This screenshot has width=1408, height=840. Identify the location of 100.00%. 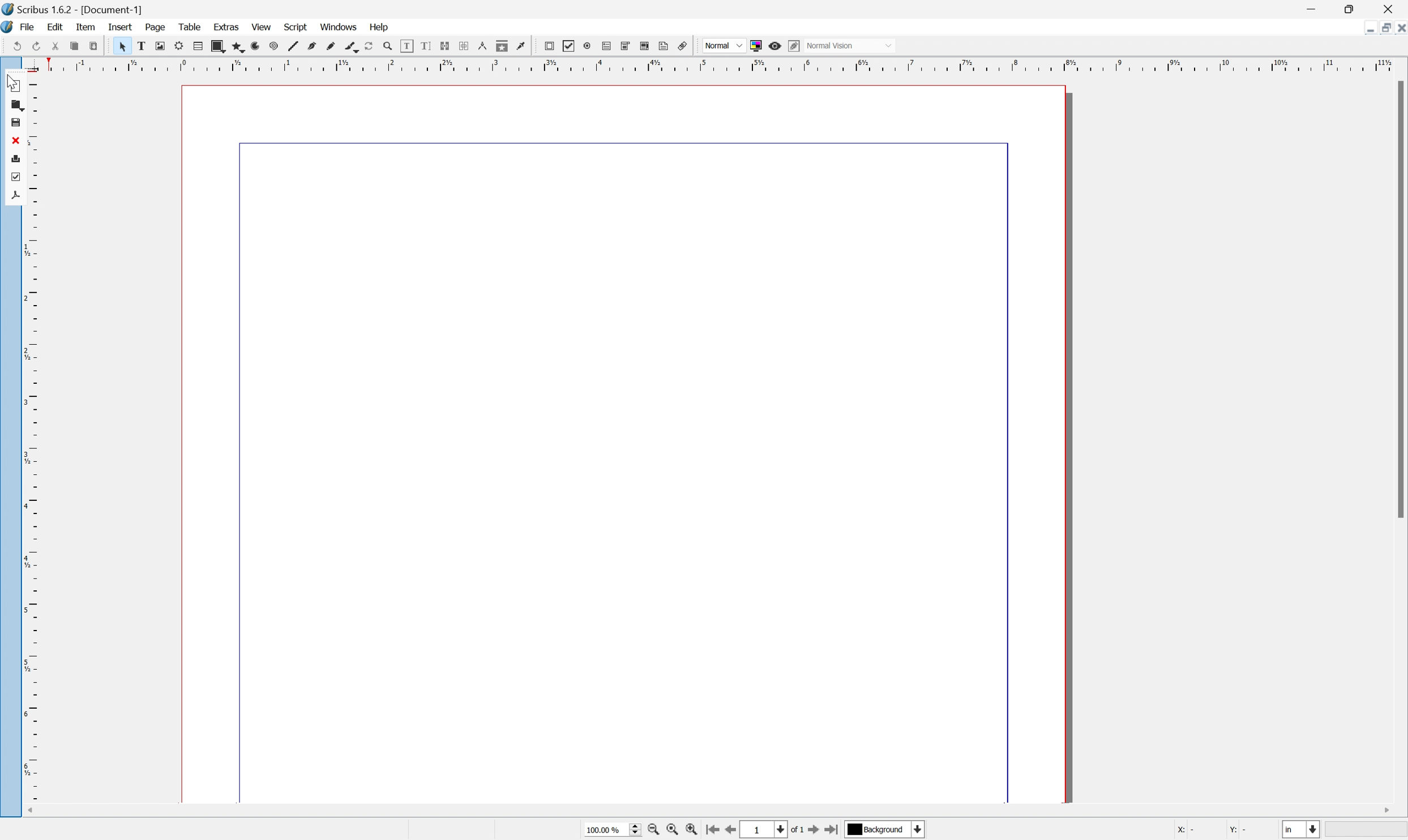
(611, 829).